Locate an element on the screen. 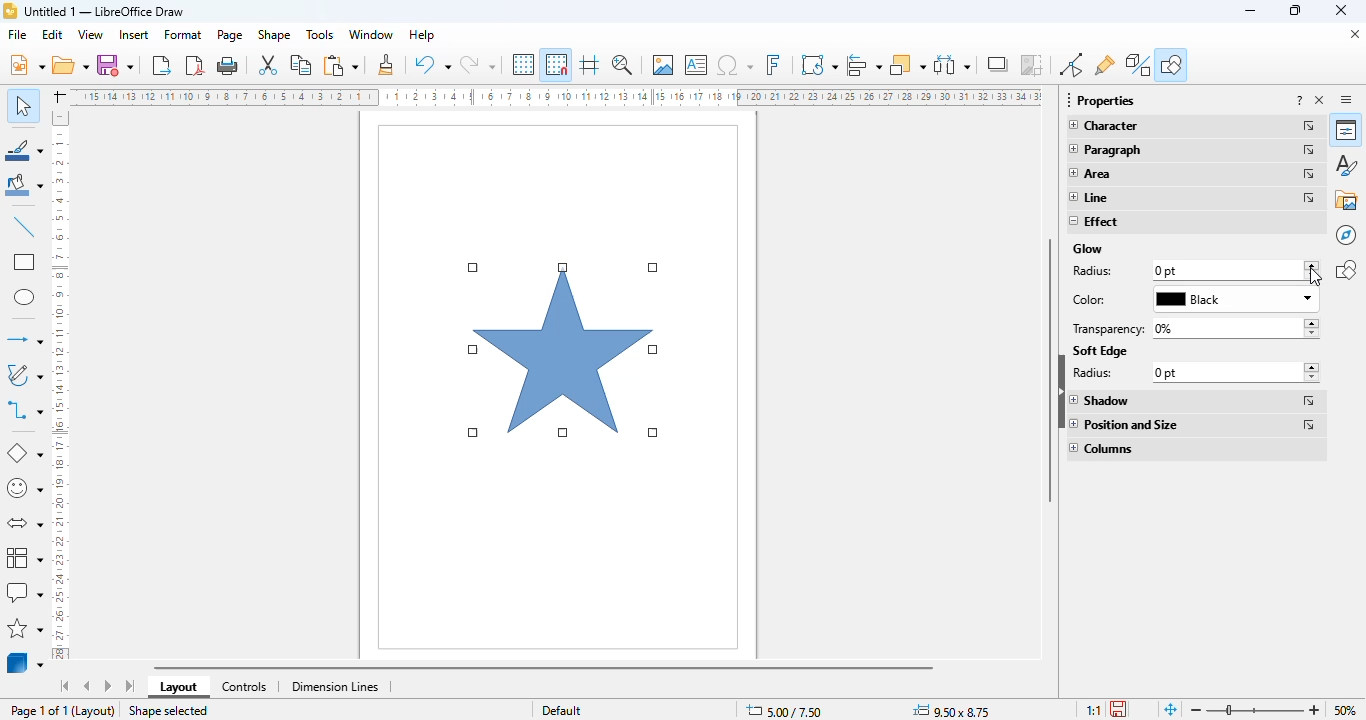 This screenshot has width=1366, height=720. close sidebar deck is located at coordinates (1319, 100).